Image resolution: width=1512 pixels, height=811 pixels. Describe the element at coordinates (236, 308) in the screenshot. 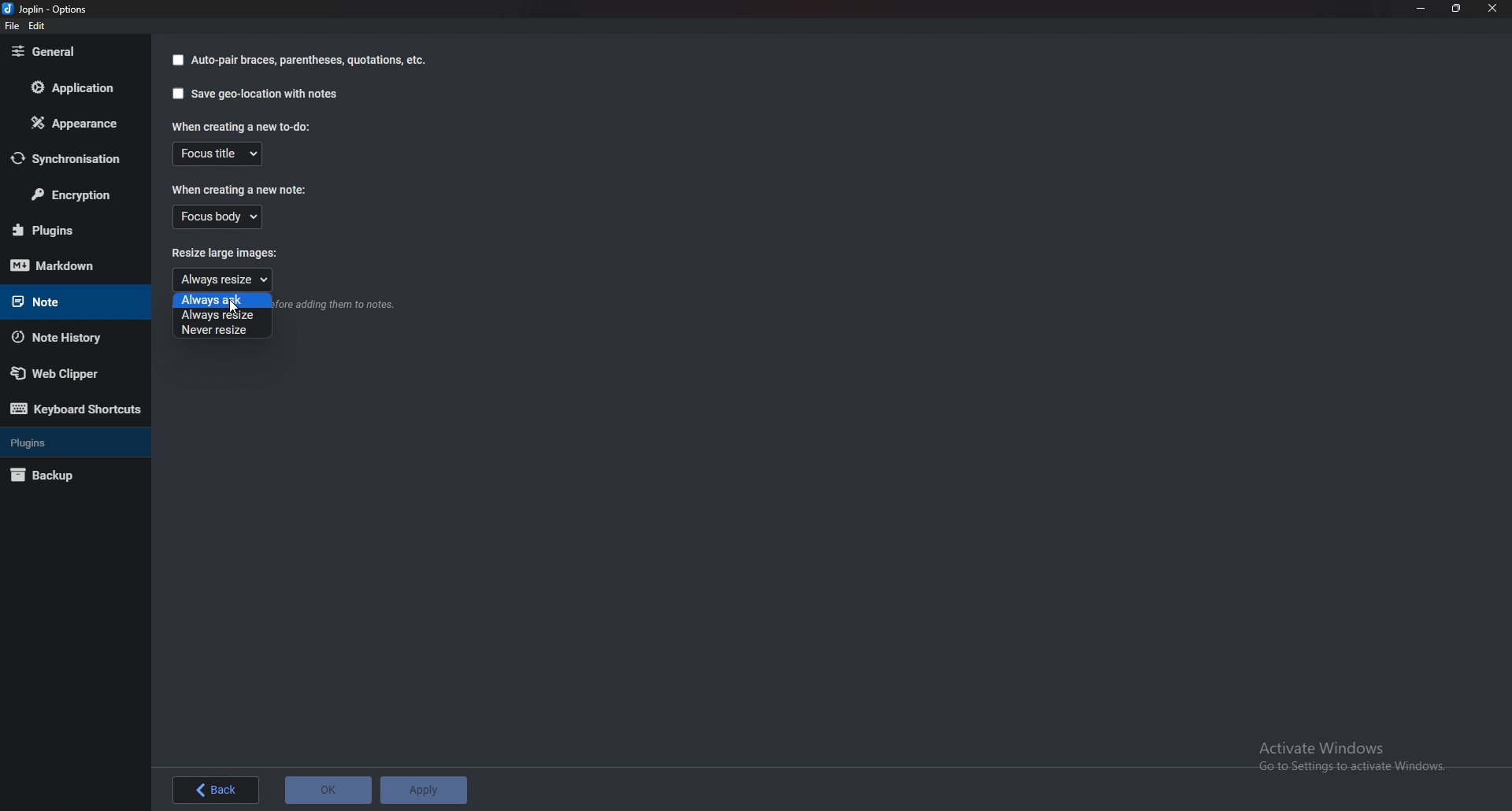

I see `cursor` at that location.